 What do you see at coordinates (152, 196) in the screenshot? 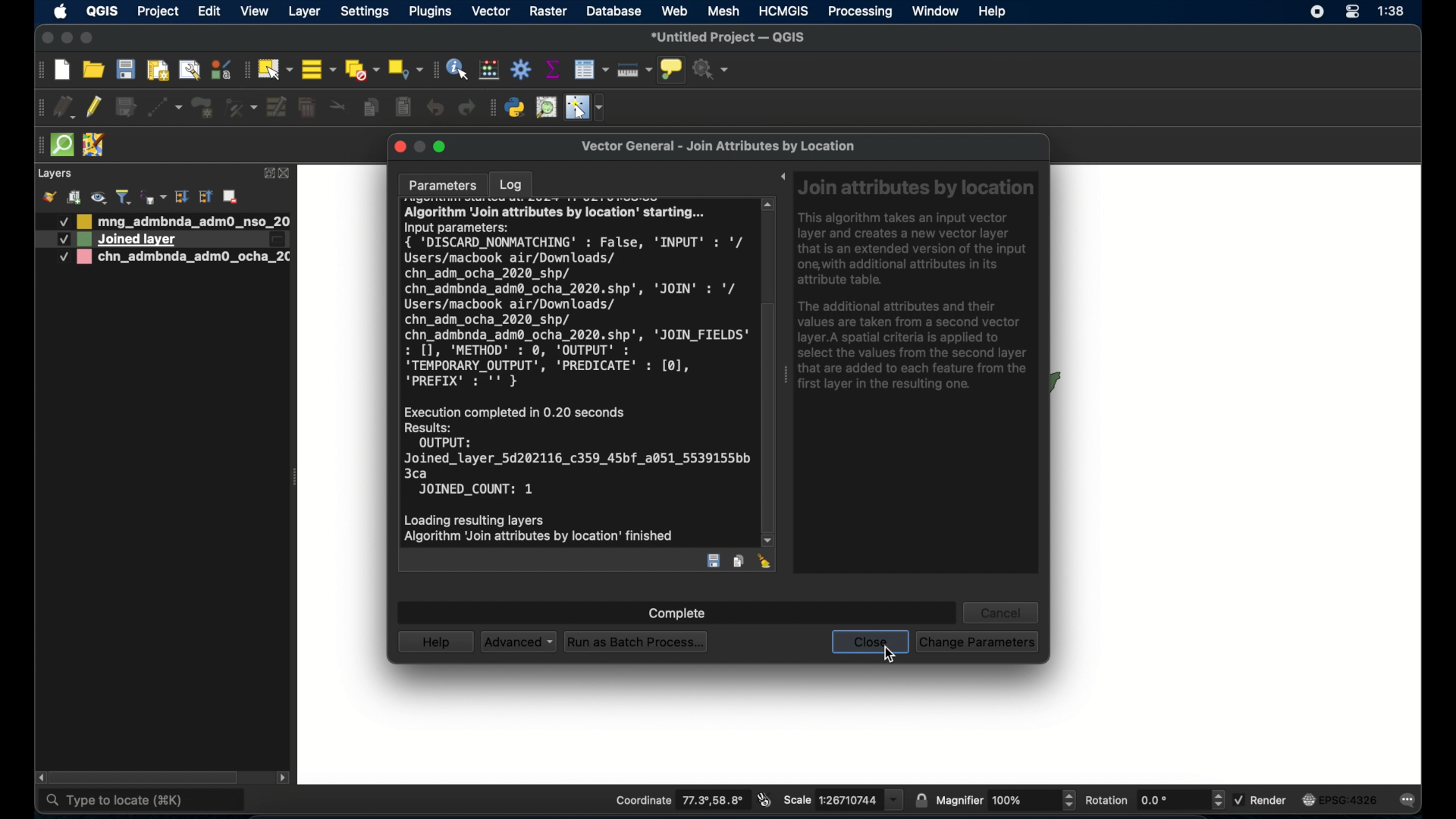
I see `filter legen by expression` at bounding box center [152, 196].